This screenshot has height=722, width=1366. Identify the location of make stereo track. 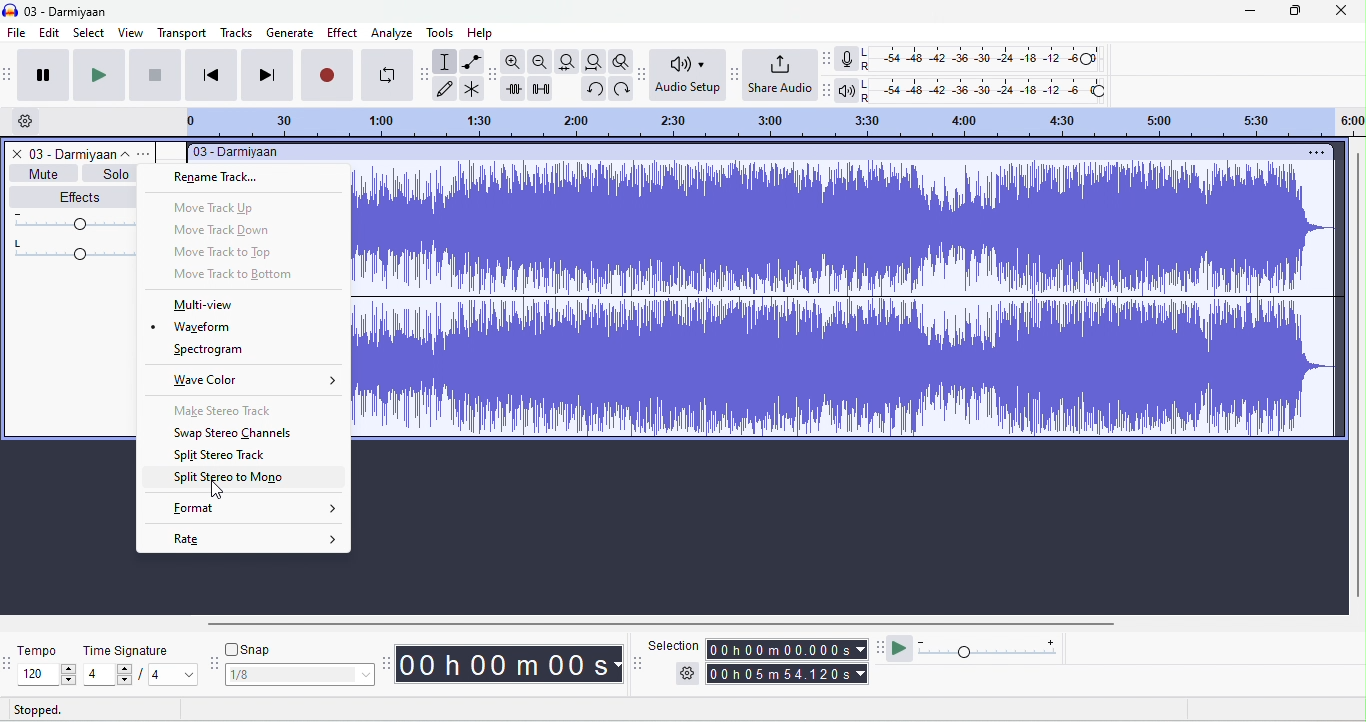
(249, 413).